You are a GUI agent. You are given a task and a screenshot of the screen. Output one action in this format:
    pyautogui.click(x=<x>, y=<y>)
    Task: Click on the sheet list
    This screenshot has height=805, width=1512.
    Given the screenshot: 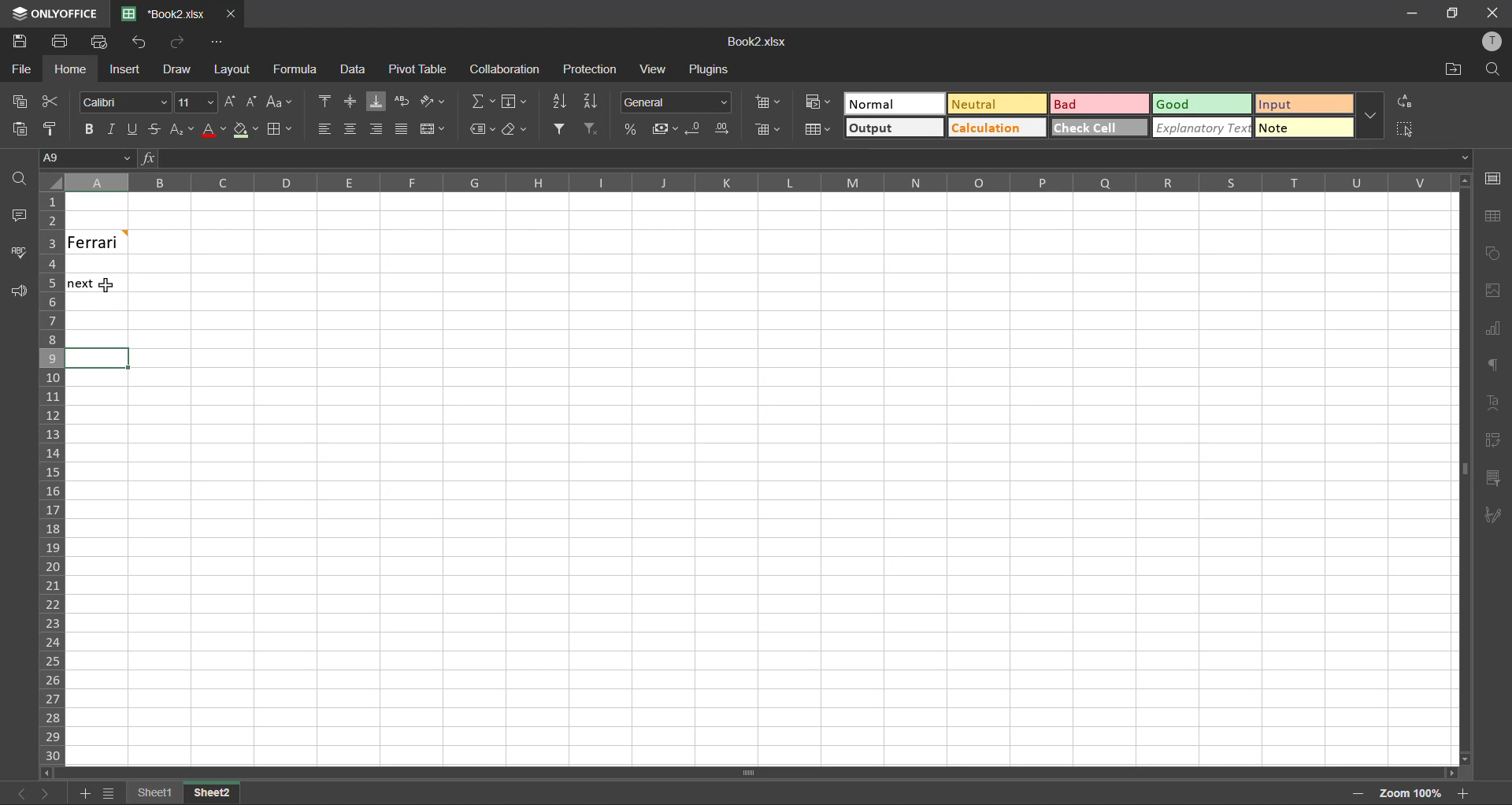 What is the action you would take?
    pyautogui.click(x=110, y=793)
    